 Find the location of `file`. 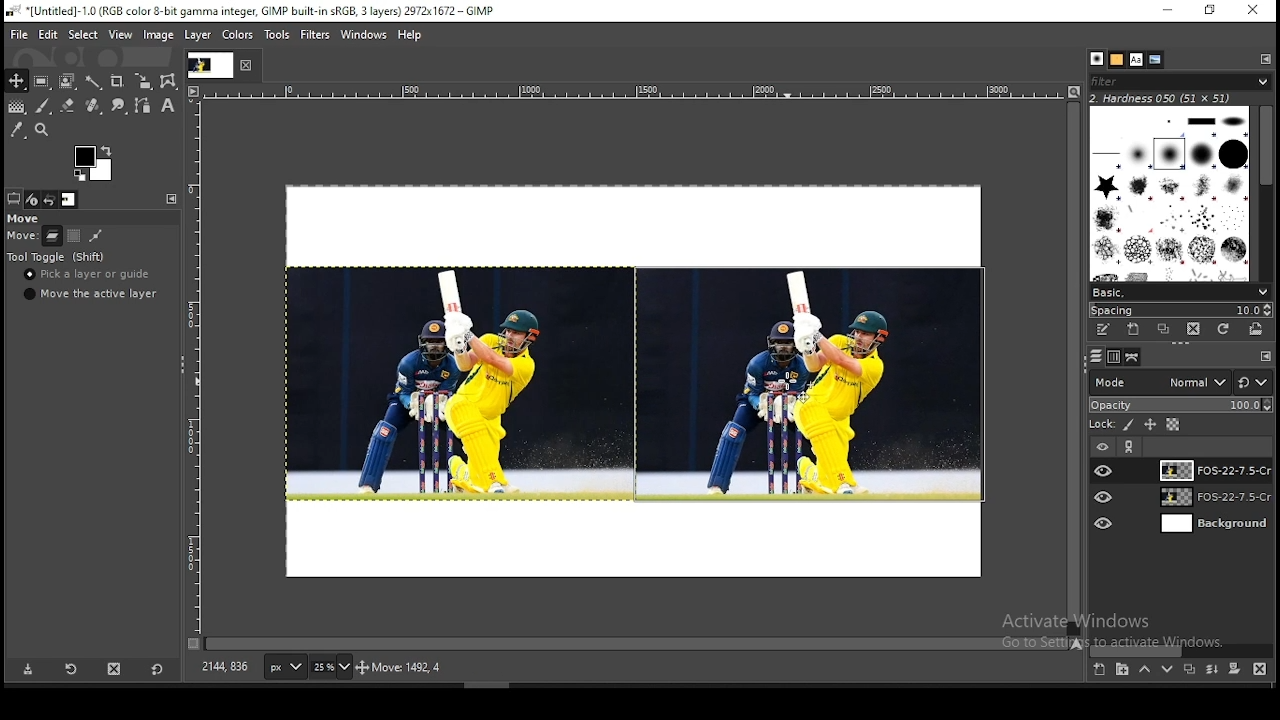

file is located at coordinates (19, 33).